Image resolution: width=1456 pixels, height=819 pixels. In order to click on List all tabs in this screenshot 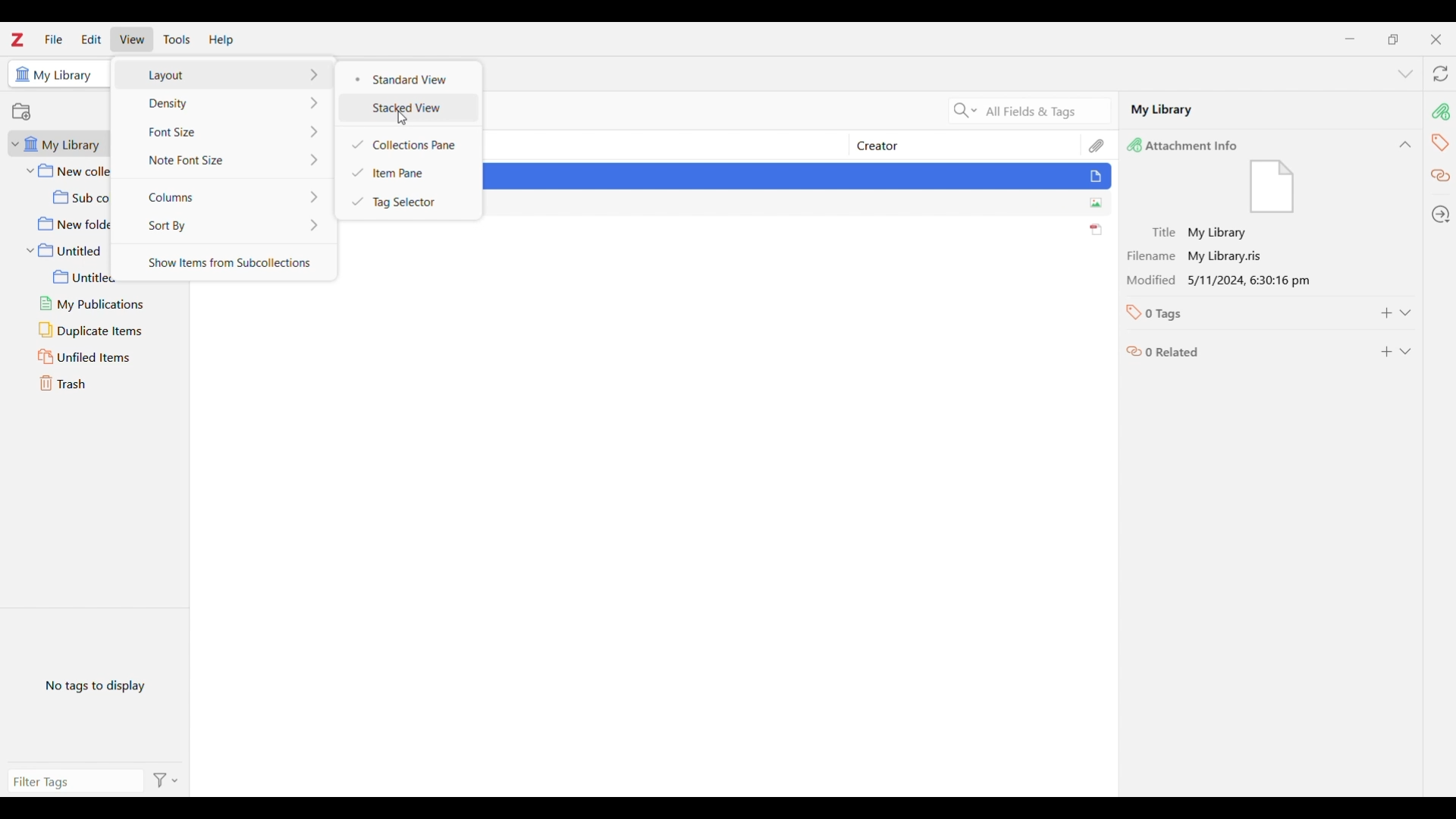, I will do `click(1405, 74)`.